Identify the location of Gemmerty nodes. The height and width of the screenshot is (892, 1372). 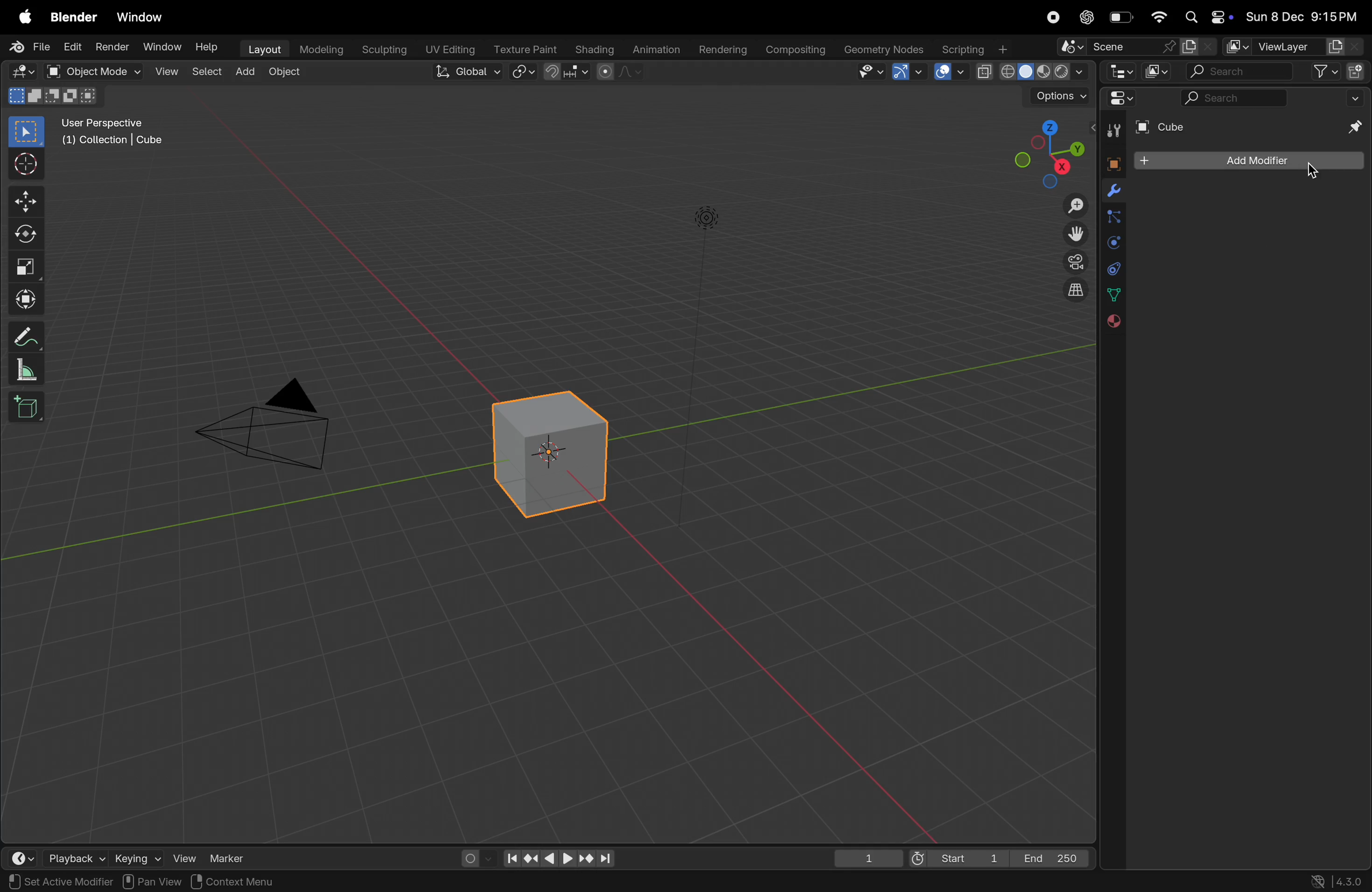
(883, 50).